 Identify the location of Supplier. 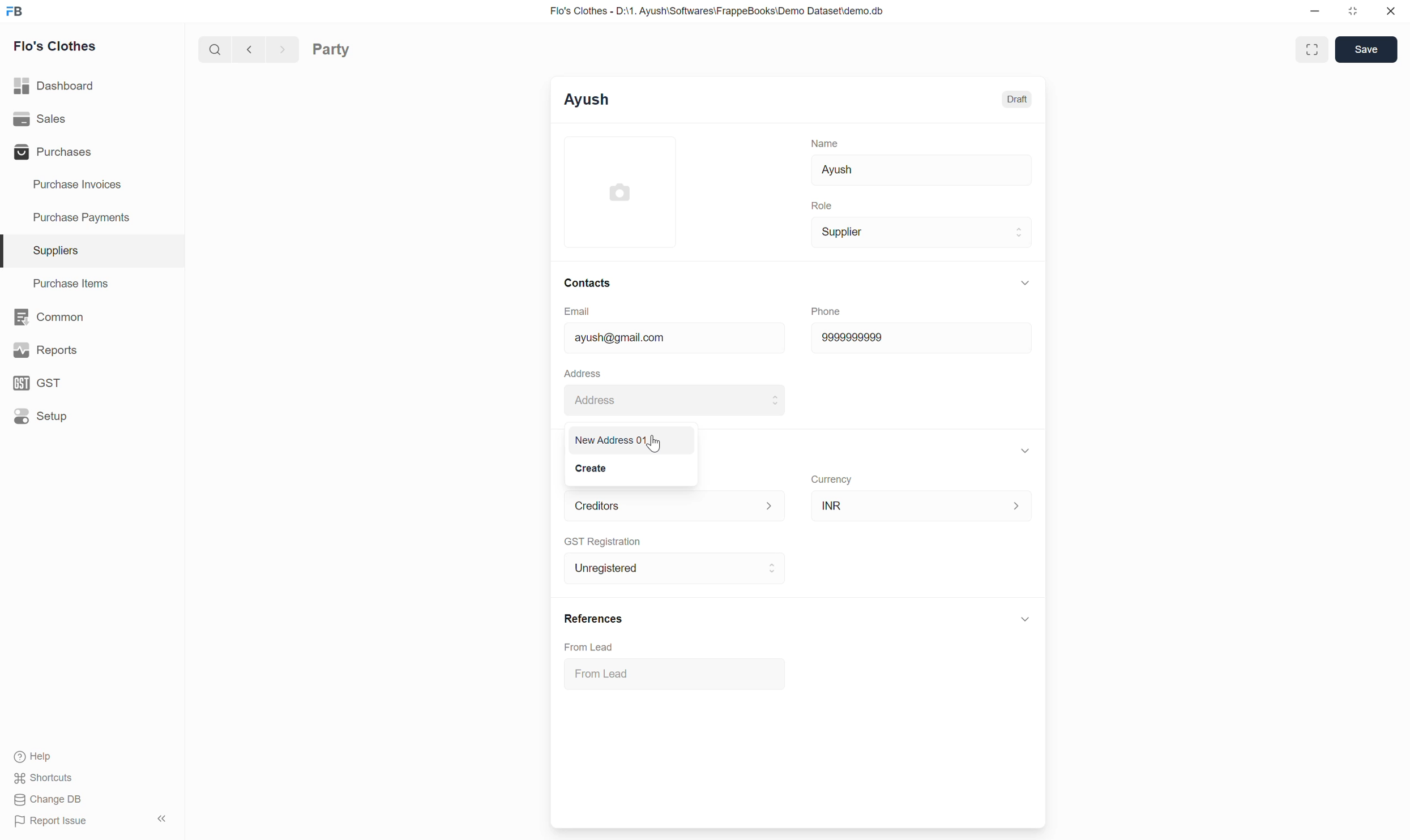
(921, 232).